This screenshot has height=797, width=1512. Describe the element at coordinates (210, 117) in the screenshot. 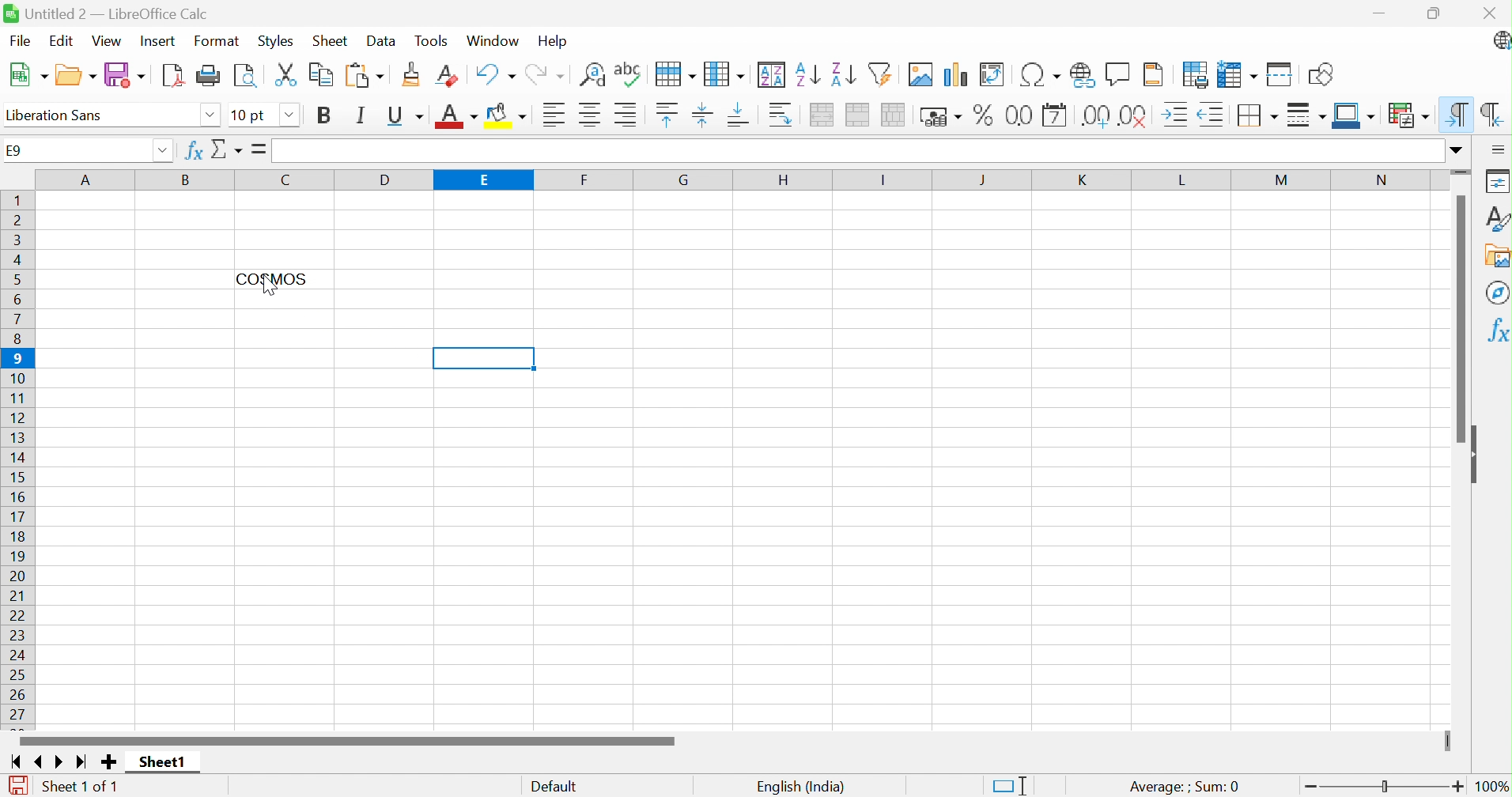

I see `Drop down` at that location.